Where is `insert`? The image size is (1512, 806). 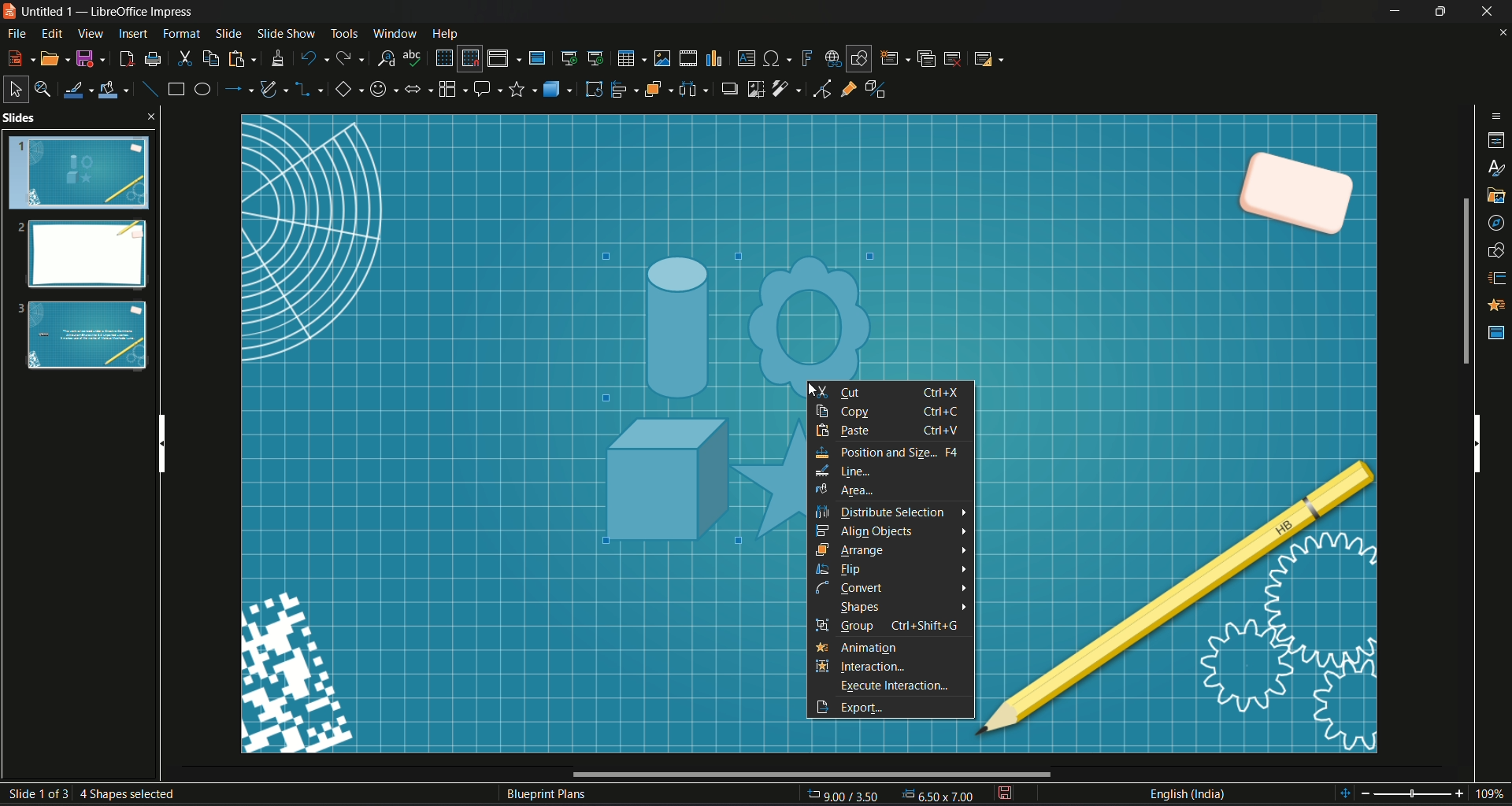
insert is located at coordinates (132, 34).